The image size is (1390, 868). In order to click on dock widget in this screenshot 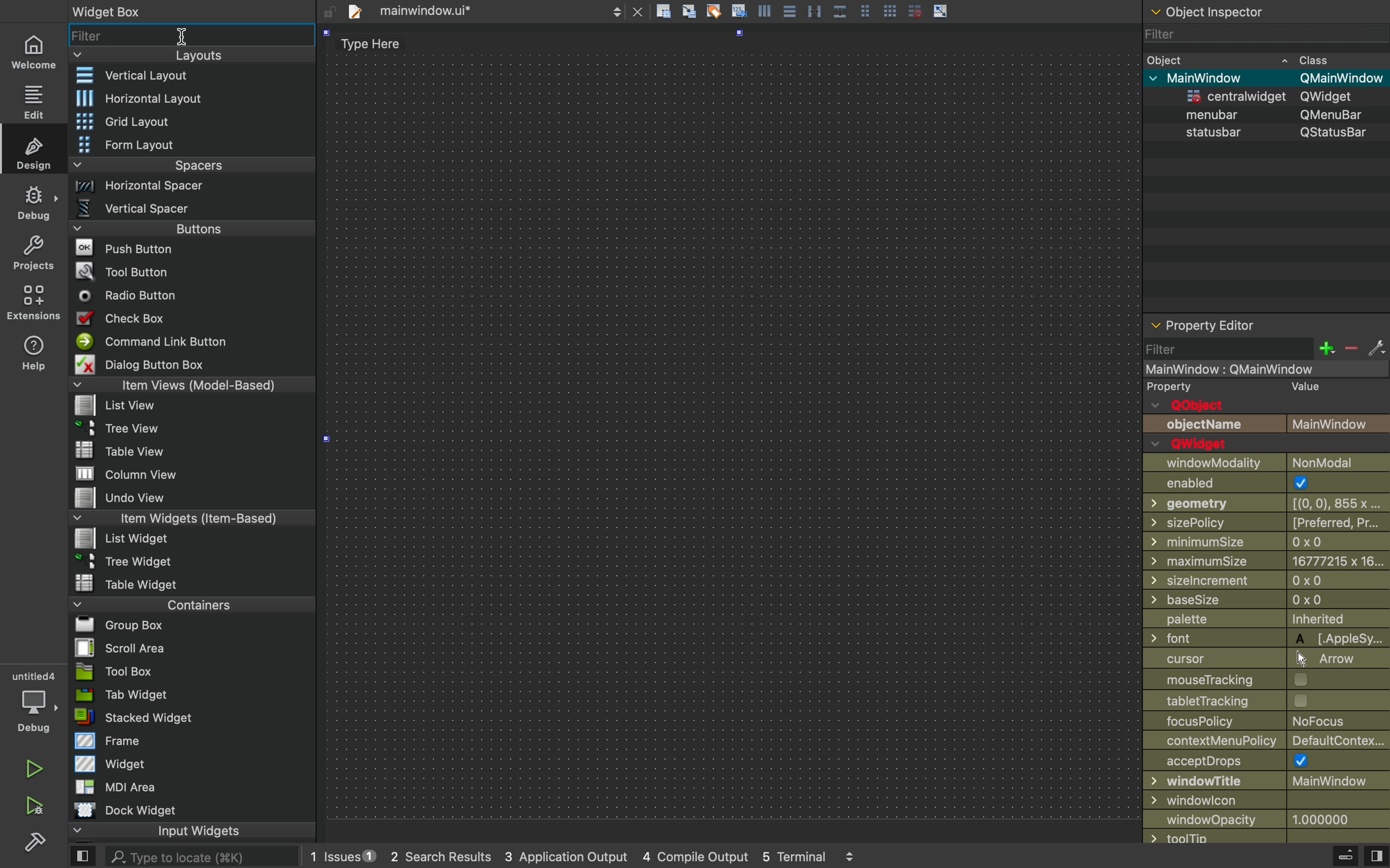, I will do `click(186, 809)`.